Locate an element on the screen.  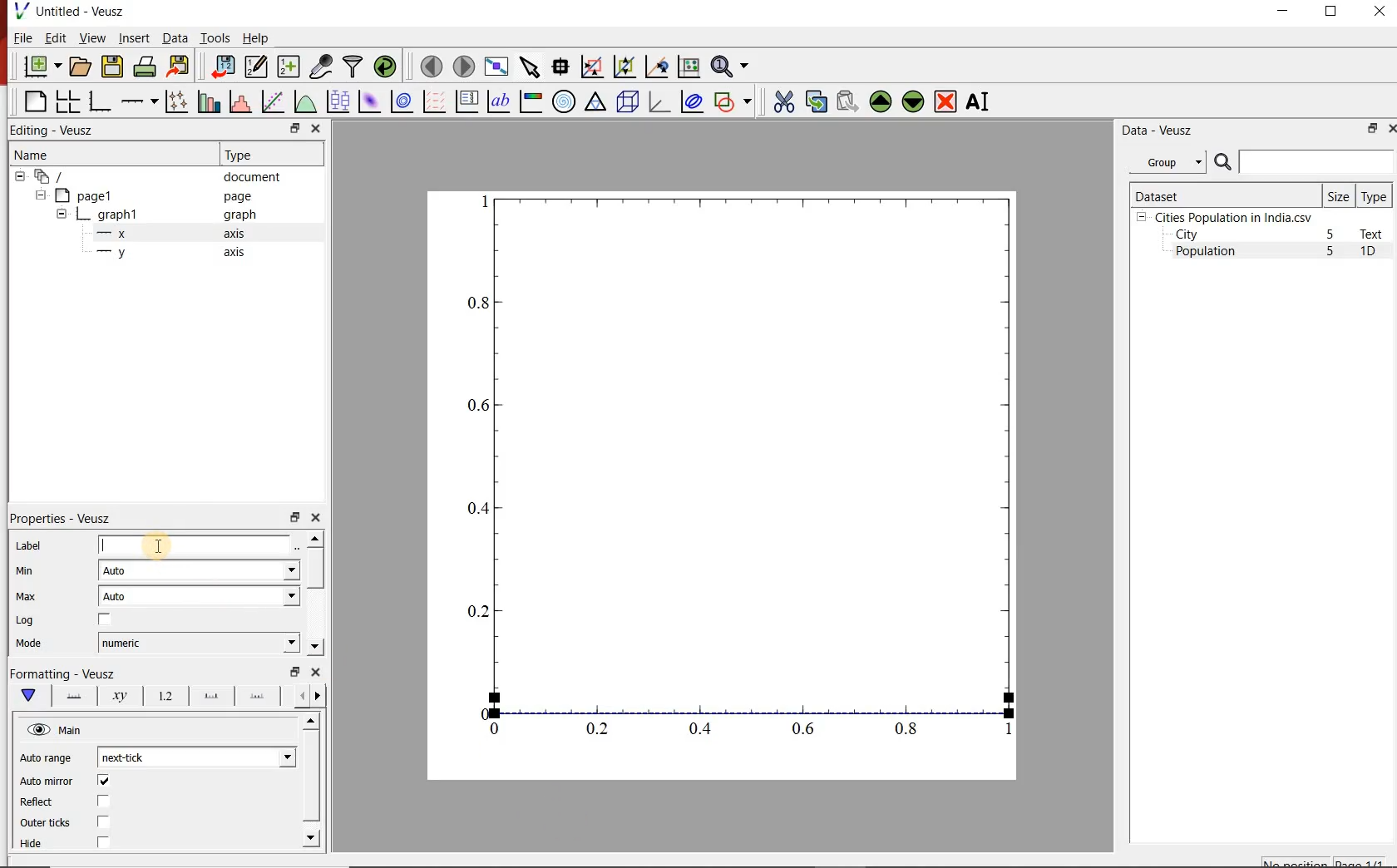
graph1 is located at coordinates (743, 481).